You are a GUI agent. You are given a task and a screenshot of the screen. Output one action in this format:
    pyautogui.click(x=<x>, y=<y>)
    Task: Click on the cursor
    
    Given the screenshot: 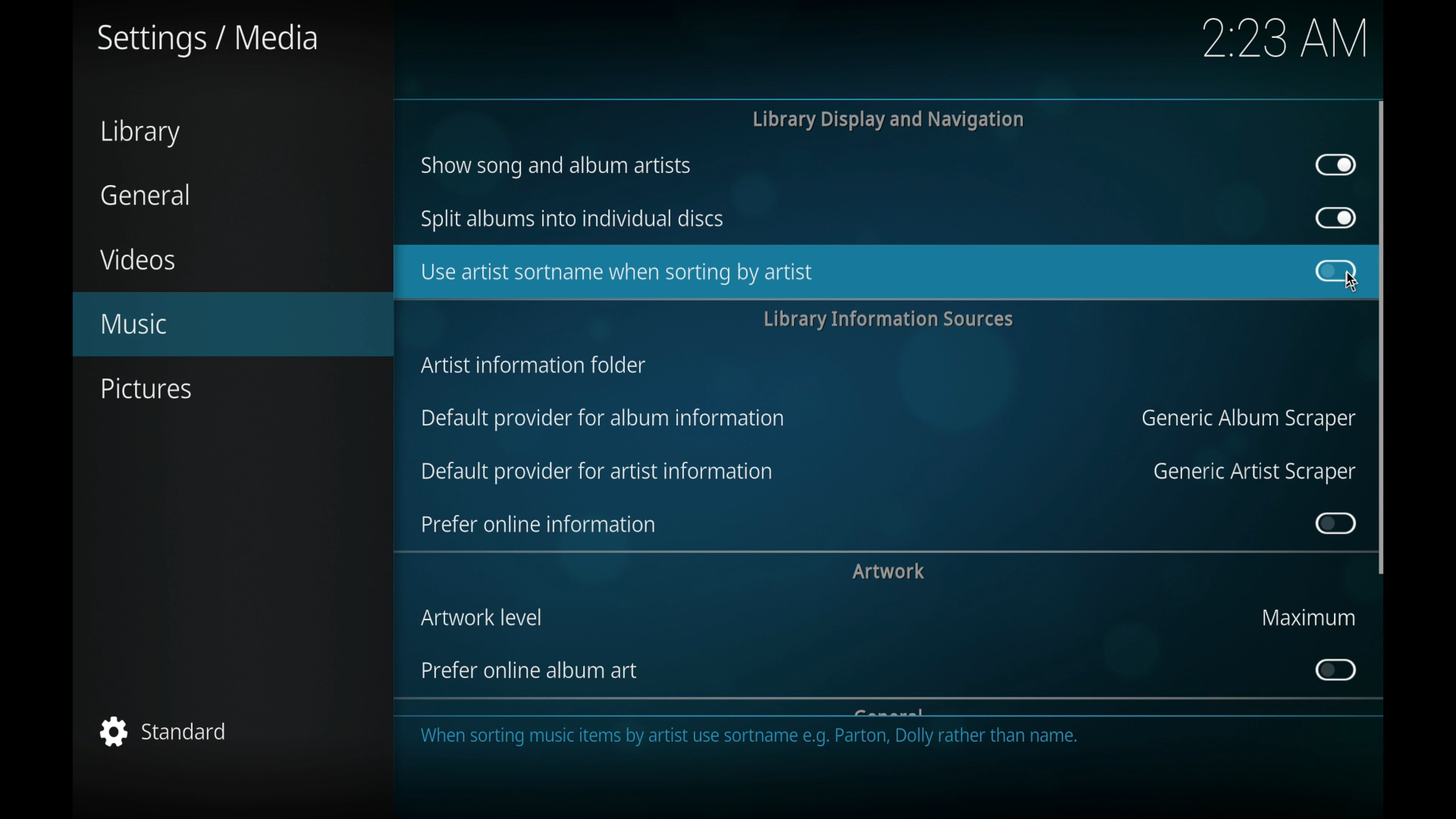 What is the action you would take?
    pyautogui.click(x=1346, y=281)
    